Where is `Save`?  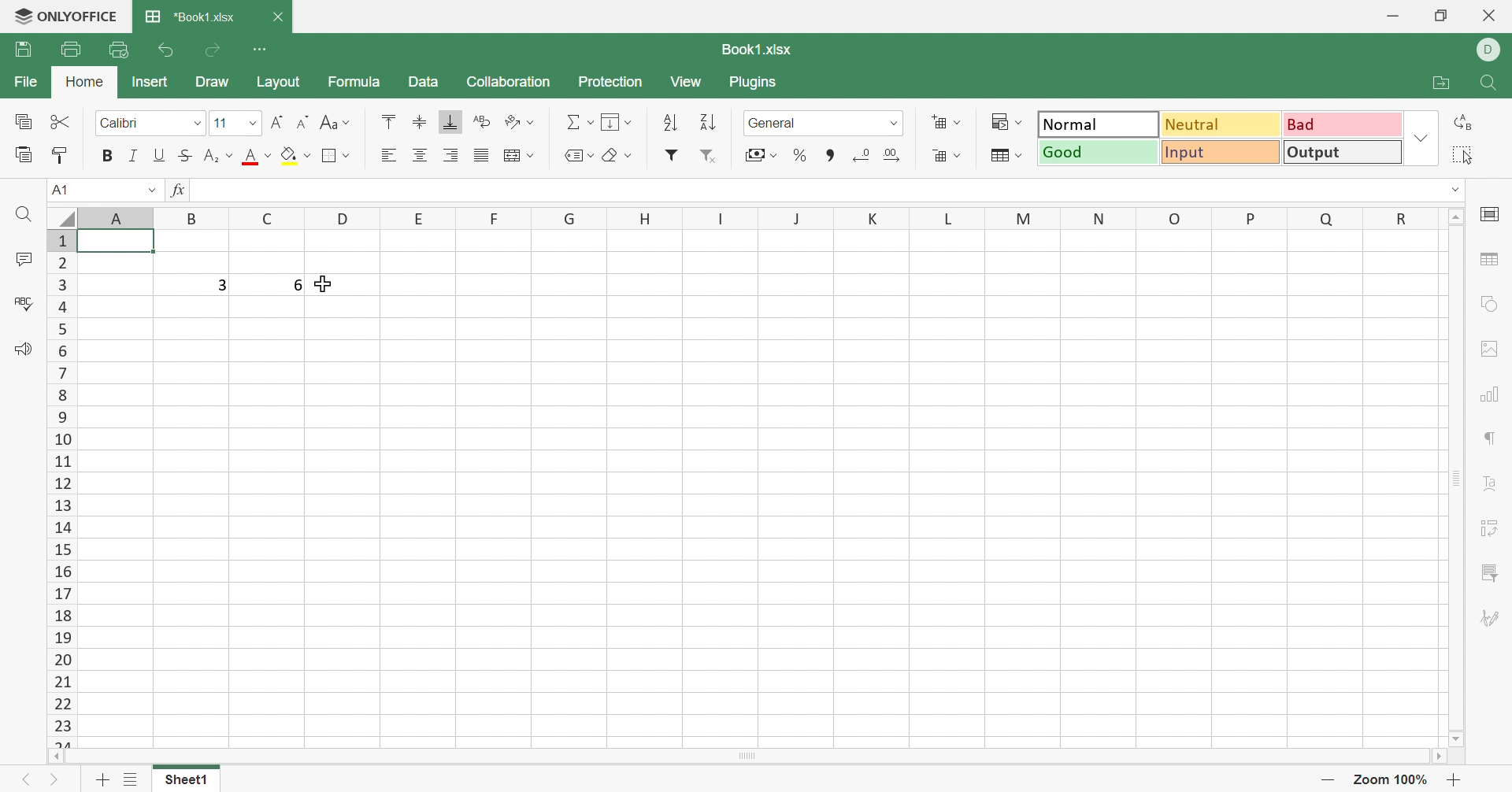 Save is located at coordinates (21, 50).